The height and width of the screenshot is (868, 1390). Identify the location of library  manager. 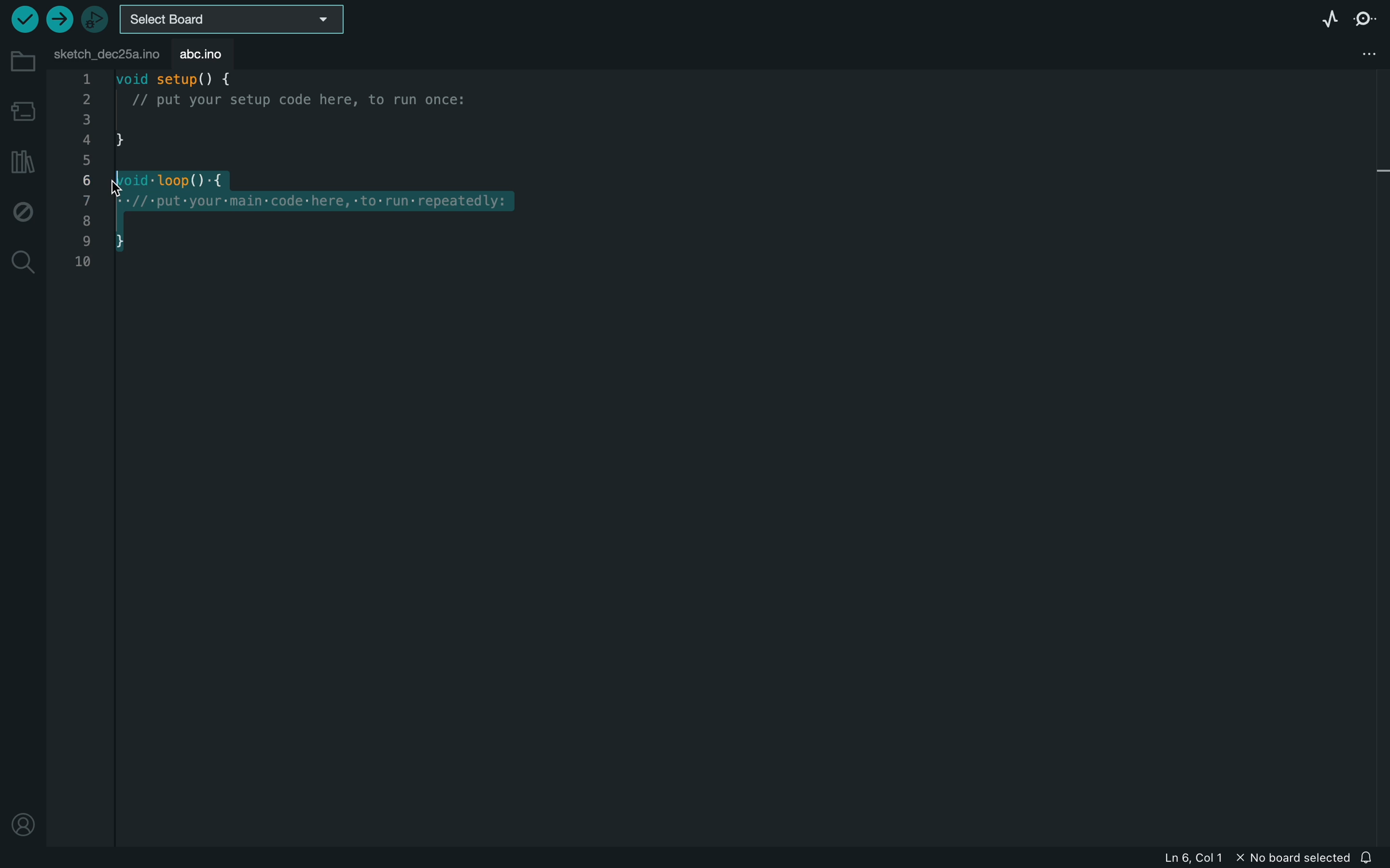
(23, 158).